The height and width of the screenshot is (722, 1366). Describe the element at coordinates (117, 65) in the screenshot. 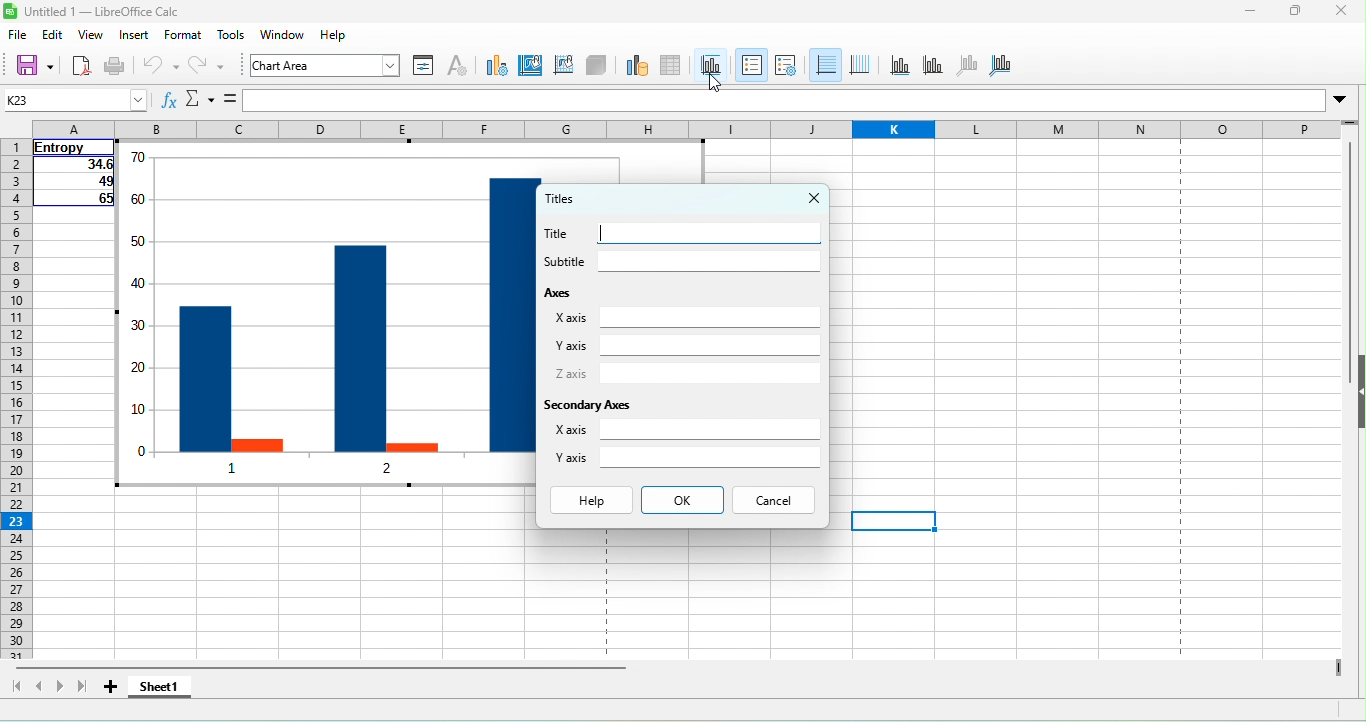

I see `print` at that location.